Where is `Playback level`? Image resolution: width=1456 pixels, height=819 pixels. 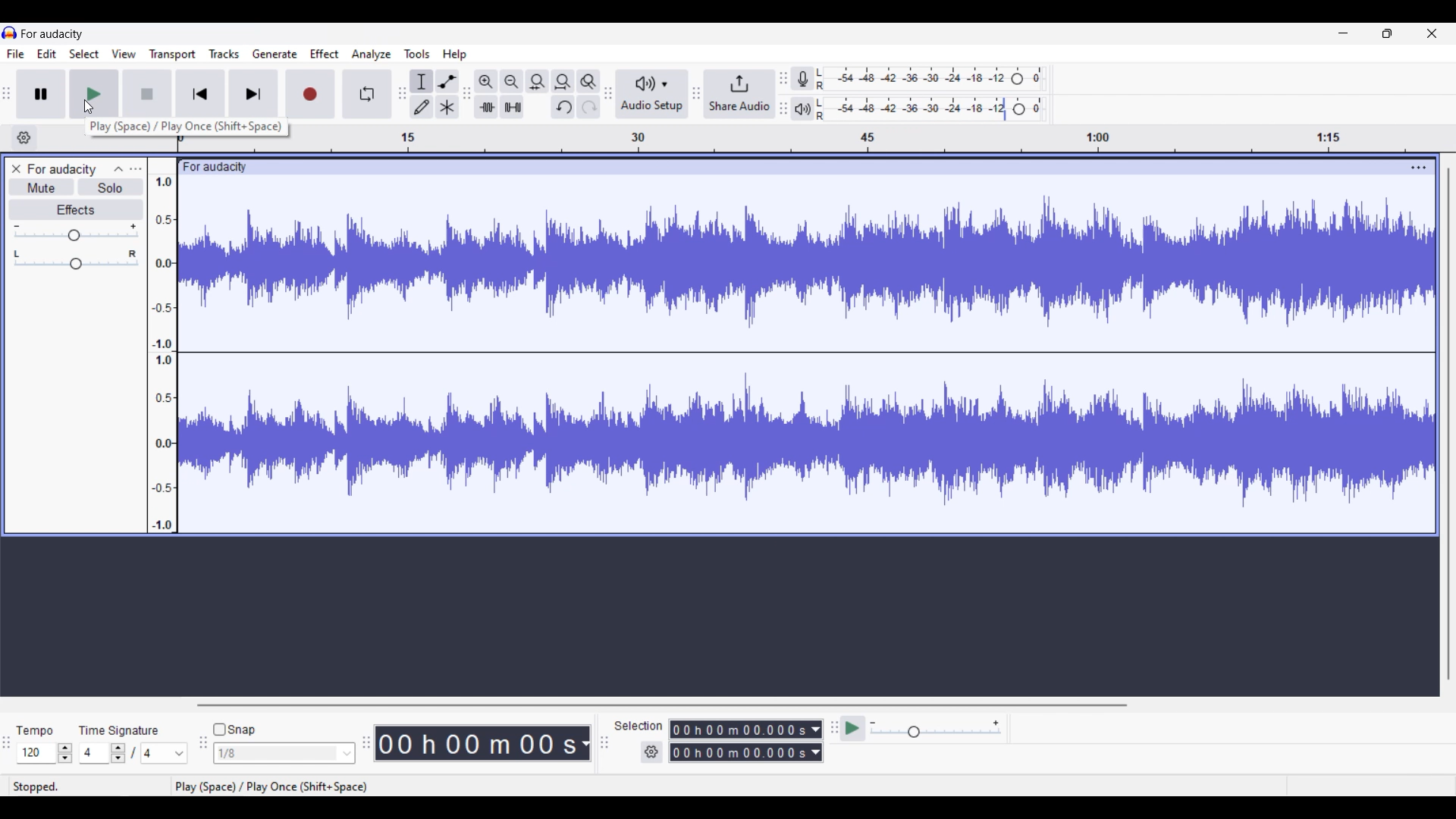 Playback level is located at coordinates (931, 108).